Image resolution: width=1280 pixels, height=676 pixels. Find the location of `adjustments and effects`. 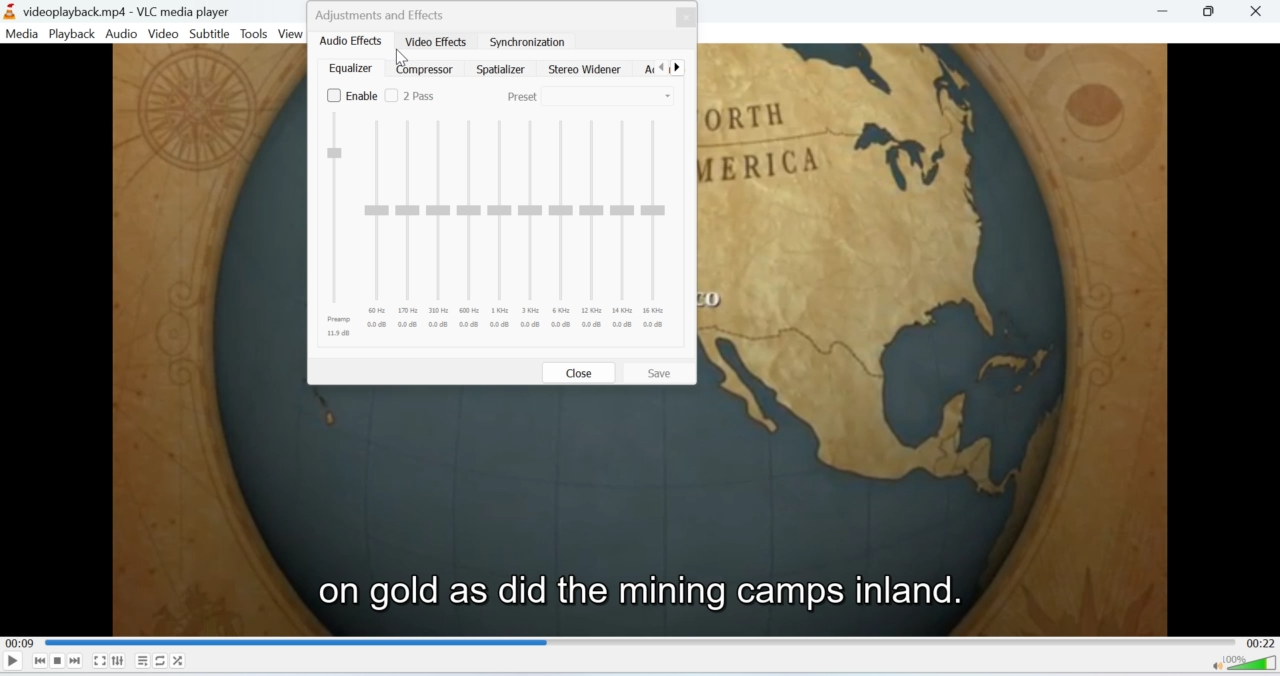

adjustments and effects is located at coordinates (383, 15).